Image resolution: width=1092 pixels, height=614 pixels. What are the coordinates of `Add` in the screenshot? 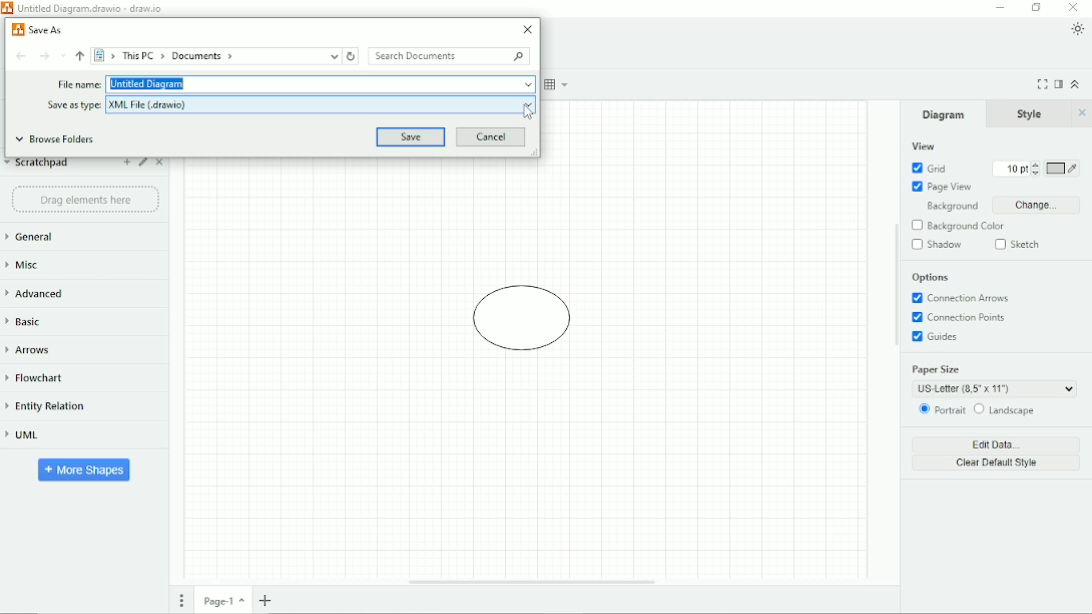 It's located at (127, 162).